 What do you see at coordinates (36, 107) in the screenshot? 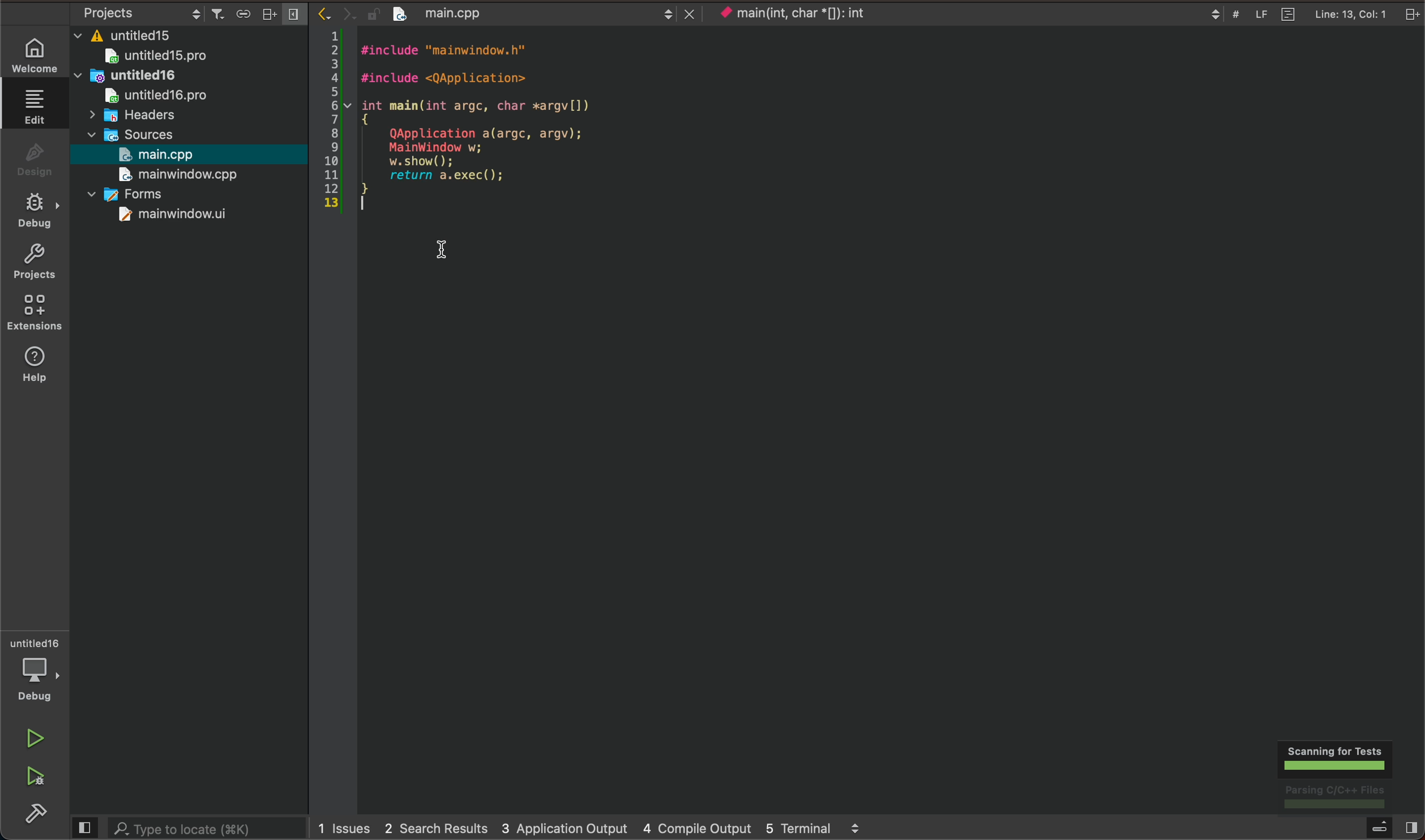
I see `edit file` at bounding box center [36, 107].